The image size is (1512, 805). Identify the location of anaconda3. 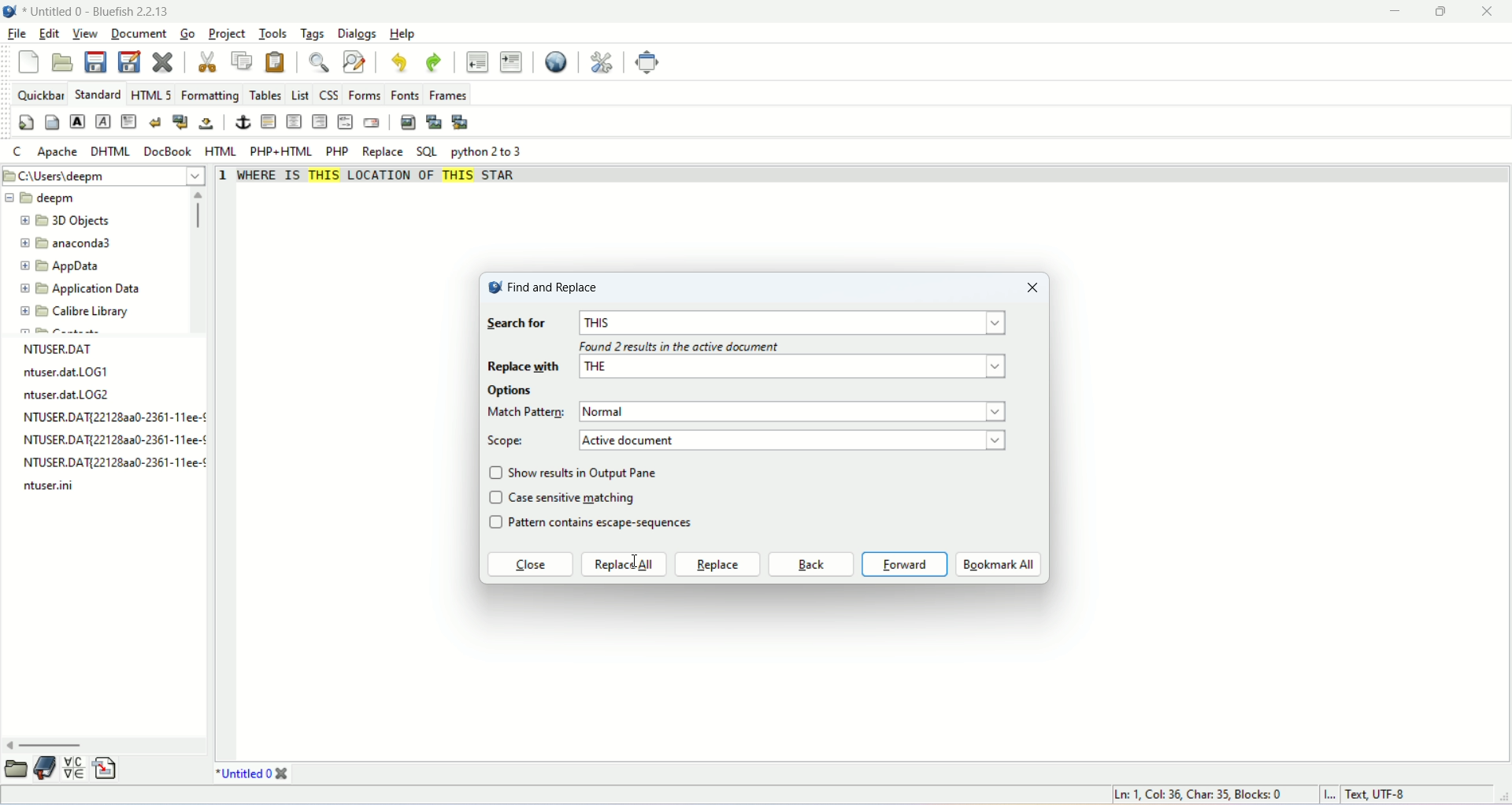
(67, 244).